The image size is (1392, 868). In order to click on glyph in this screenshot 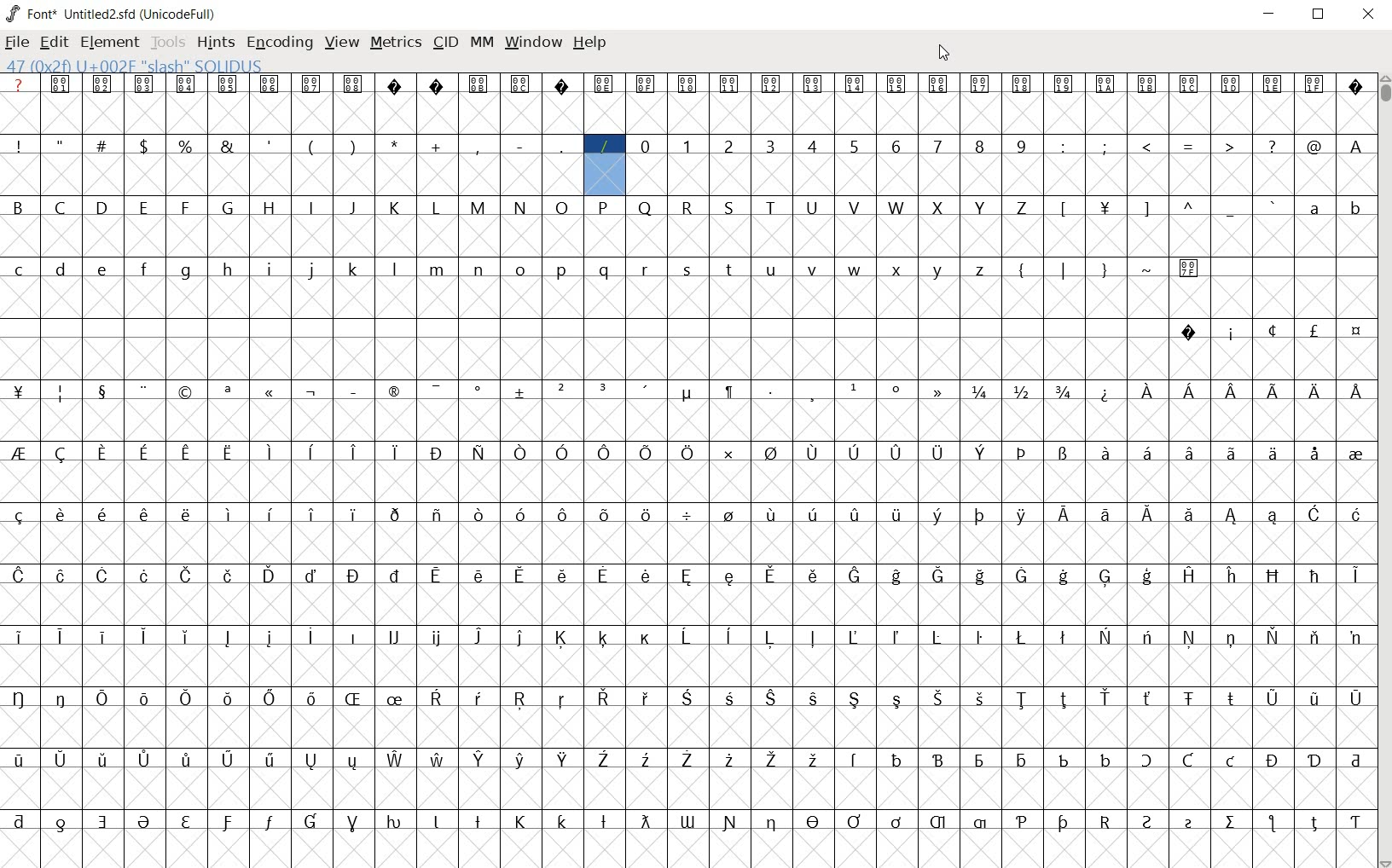, I will do `click(1189, 84)`.